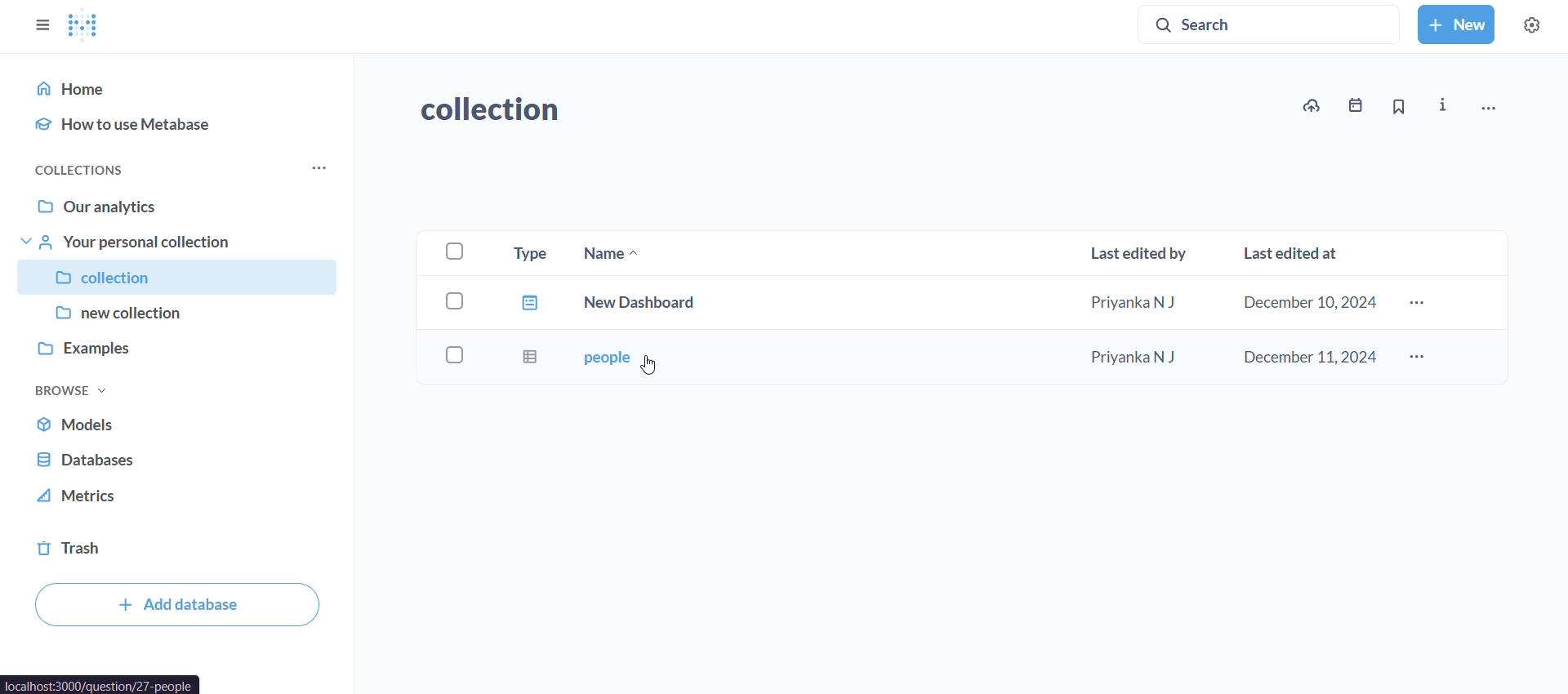 This screenshot has width=1568, height=694. Describe the element at coordinates (650, 363) in the screenshot. I see `CUrsor` at that location.